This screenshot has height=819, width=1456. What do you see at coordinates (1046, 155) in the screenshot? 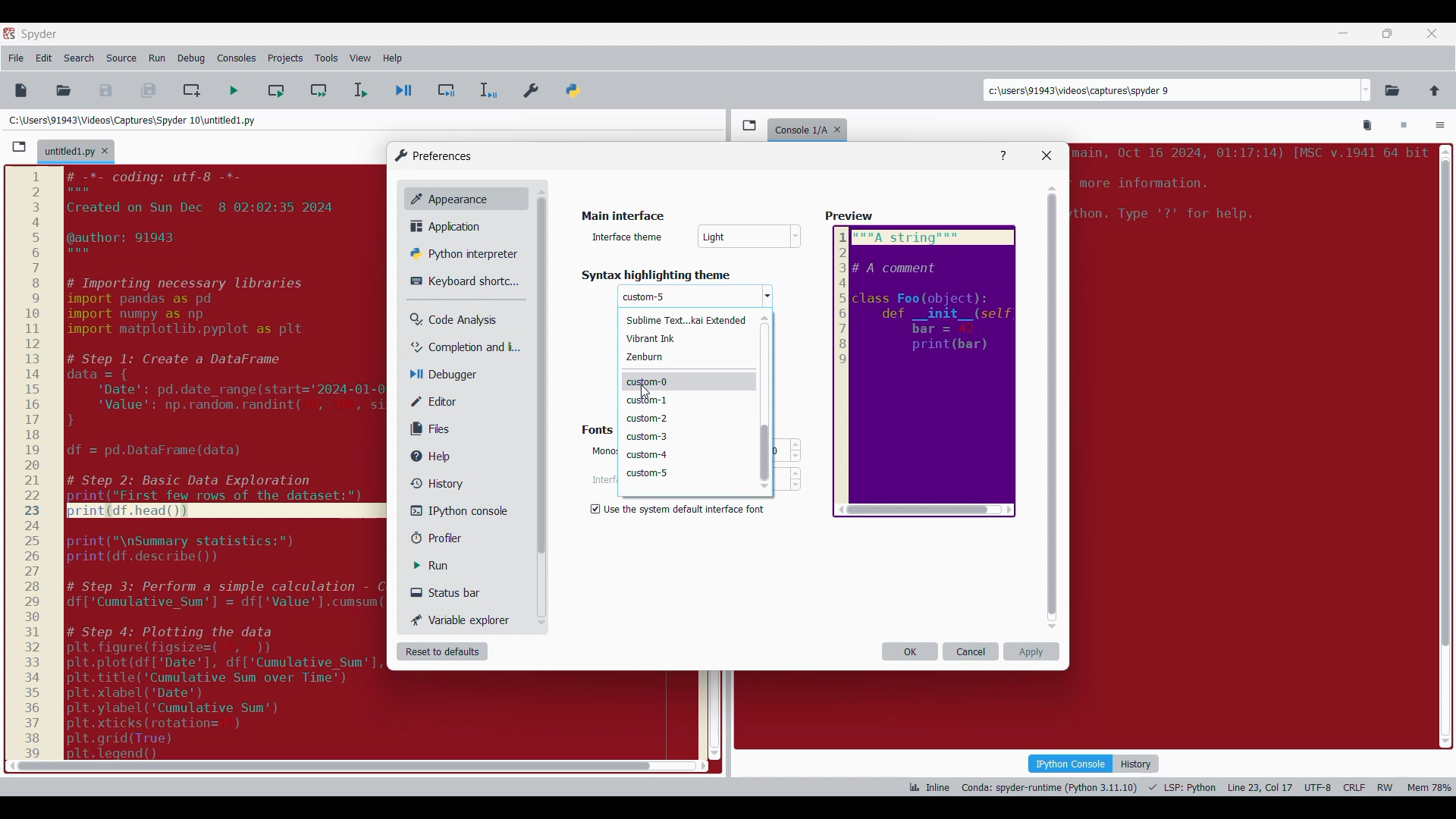
I see `Close` at bounding box center [1046, 155].